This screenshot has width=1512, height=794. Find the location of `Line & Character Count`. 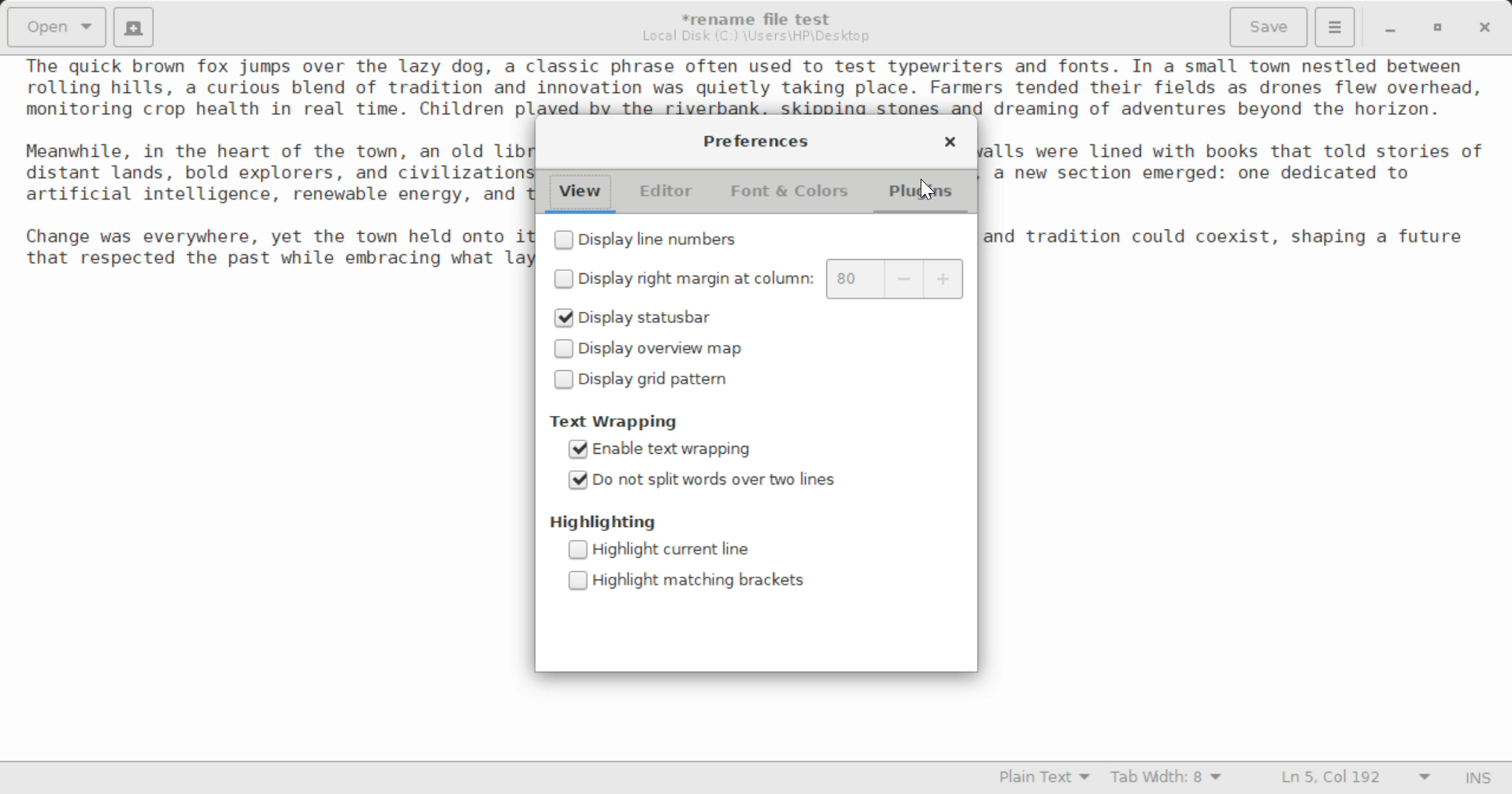

Line & Character Count is located at coordinates (1356, 779).